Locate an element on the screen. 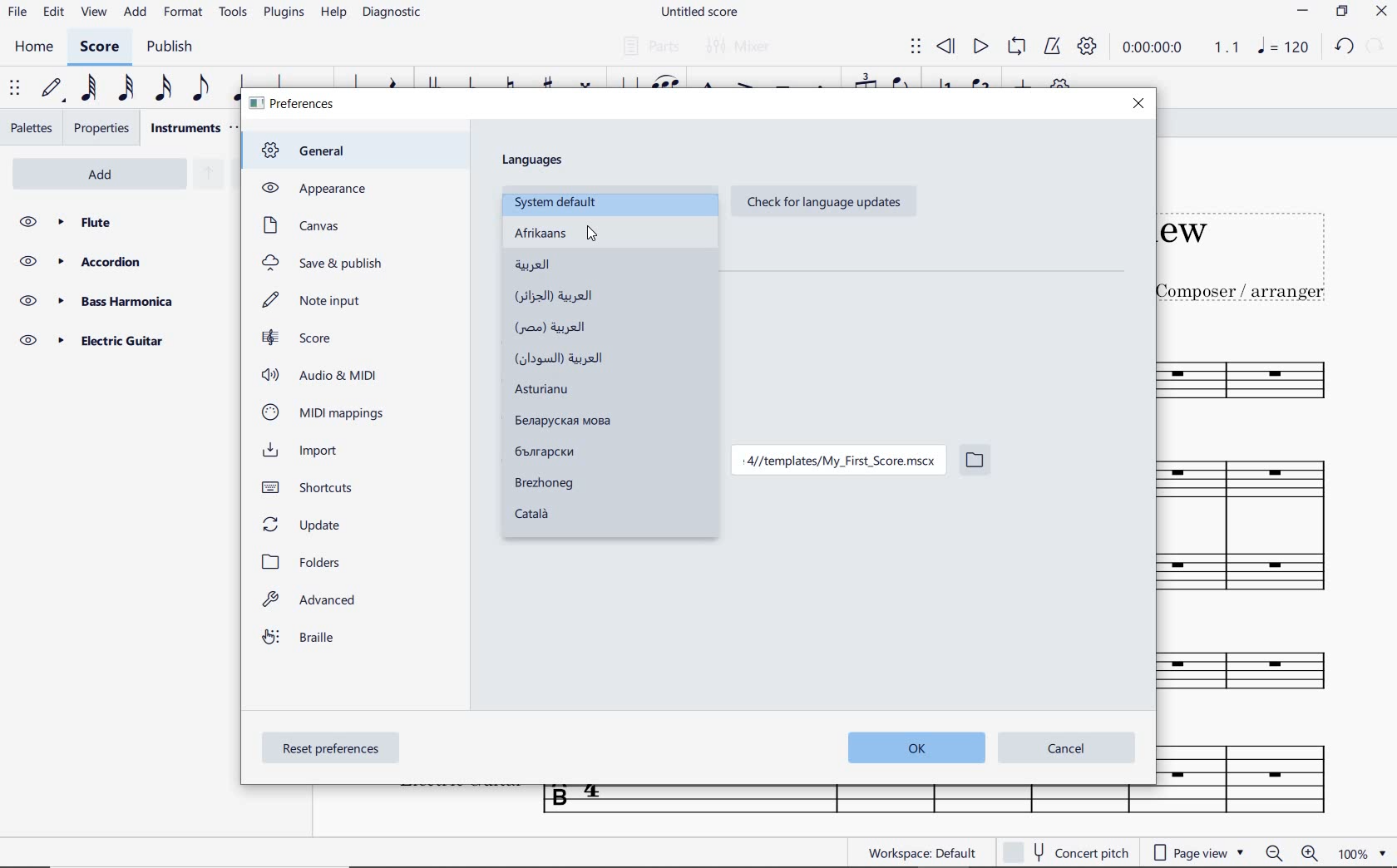 This screenshot has width=1397, height=868. instruments is located at coordinates (185, 127).